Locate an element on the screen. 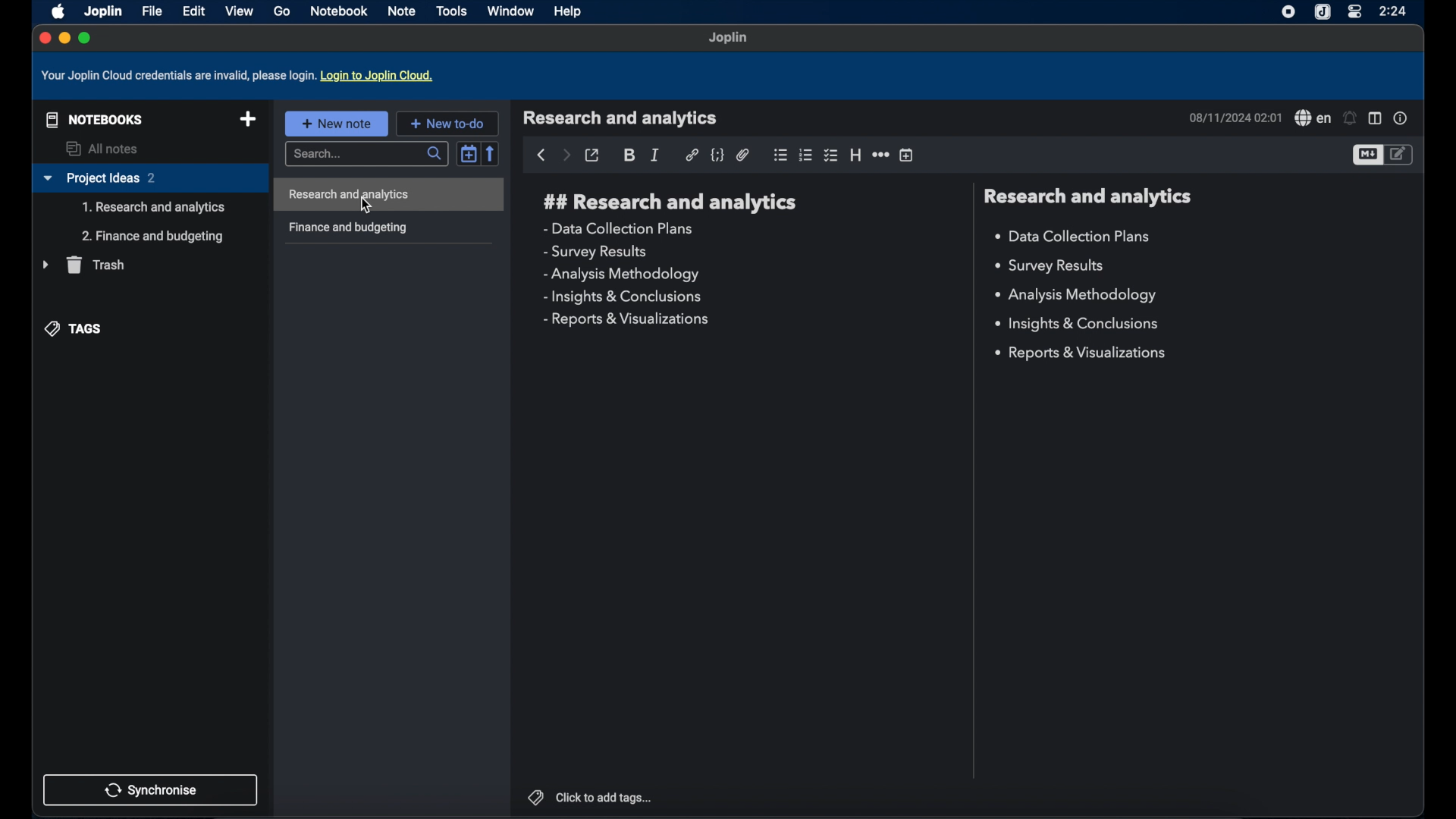 The height and width of the screenshot is (819, 1456). checkbox is located at coordinates (832, 155).